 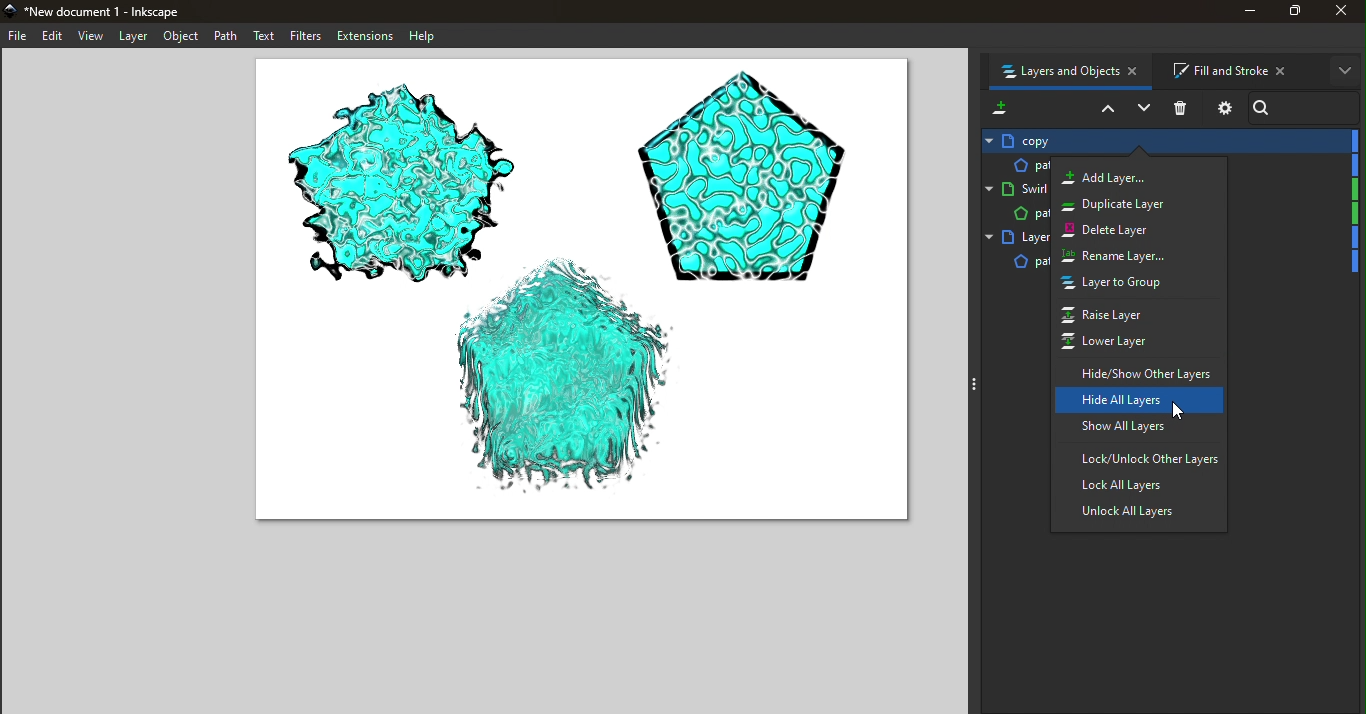 I want to click on Rename layer, so click(x=1123, y=256).